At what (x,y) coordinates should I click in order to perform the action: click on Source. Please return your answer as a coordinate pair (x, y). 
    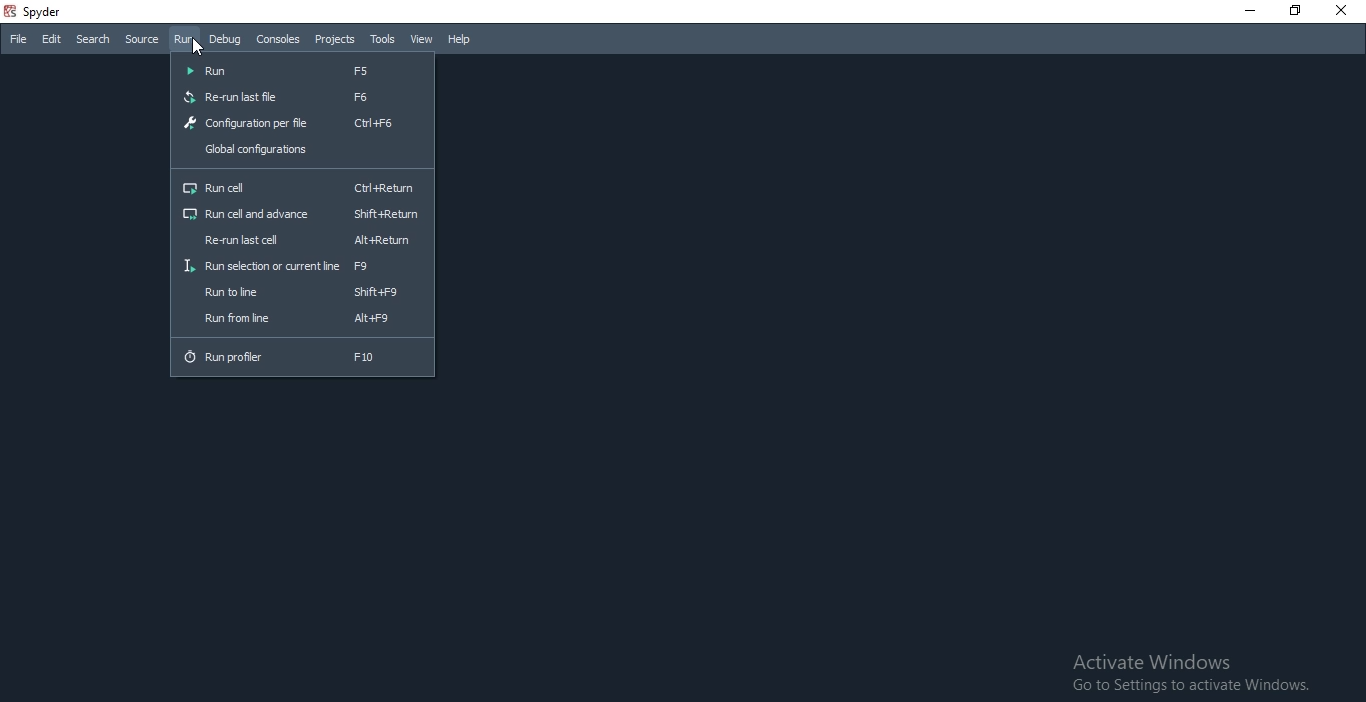
    Looking at the image, I should click on (141, 38).